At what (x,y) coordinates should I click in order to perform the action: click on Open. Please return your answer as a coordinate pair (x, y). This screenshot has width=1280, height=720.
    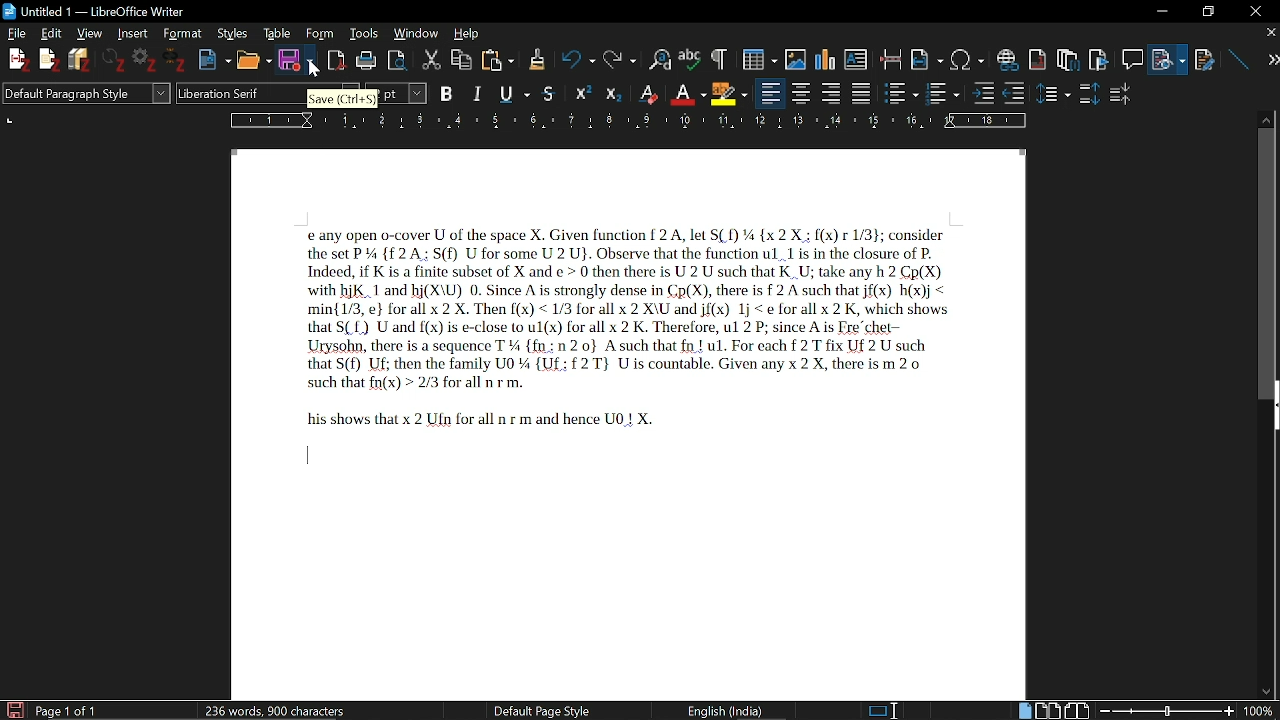
    Looking at the image, I should click on (251, 60).